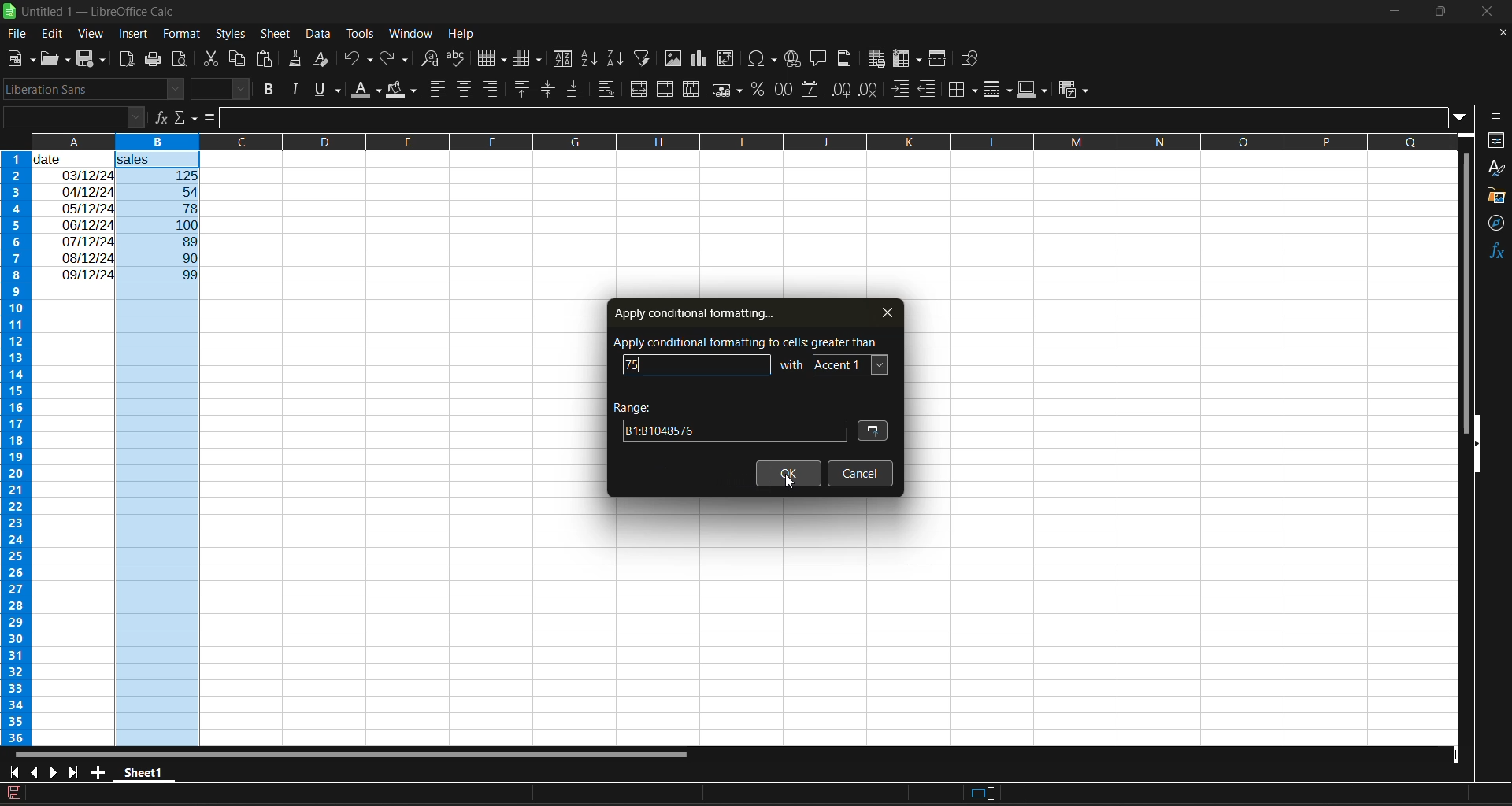  Describe the element at coordinates (881, 312) in the screenshot. I see `close tab` at that location.